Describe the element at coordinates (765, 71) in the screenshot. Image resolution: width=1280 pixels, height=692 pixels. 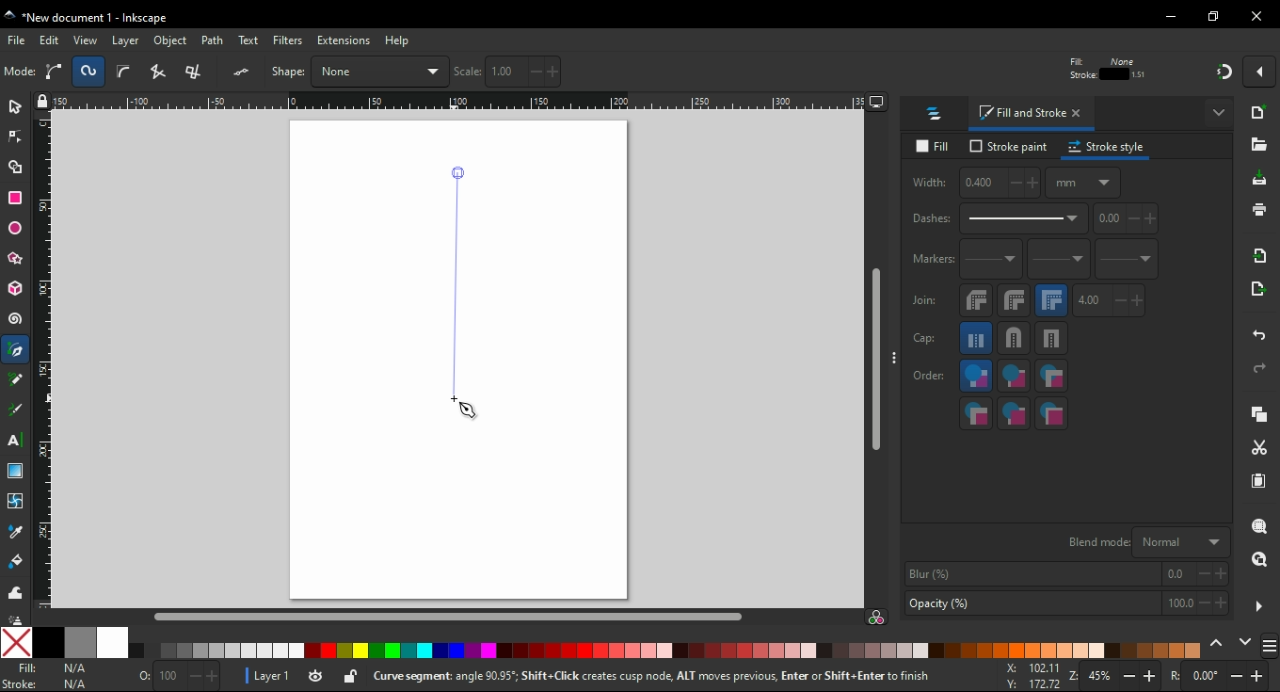
I see `width` at that location.